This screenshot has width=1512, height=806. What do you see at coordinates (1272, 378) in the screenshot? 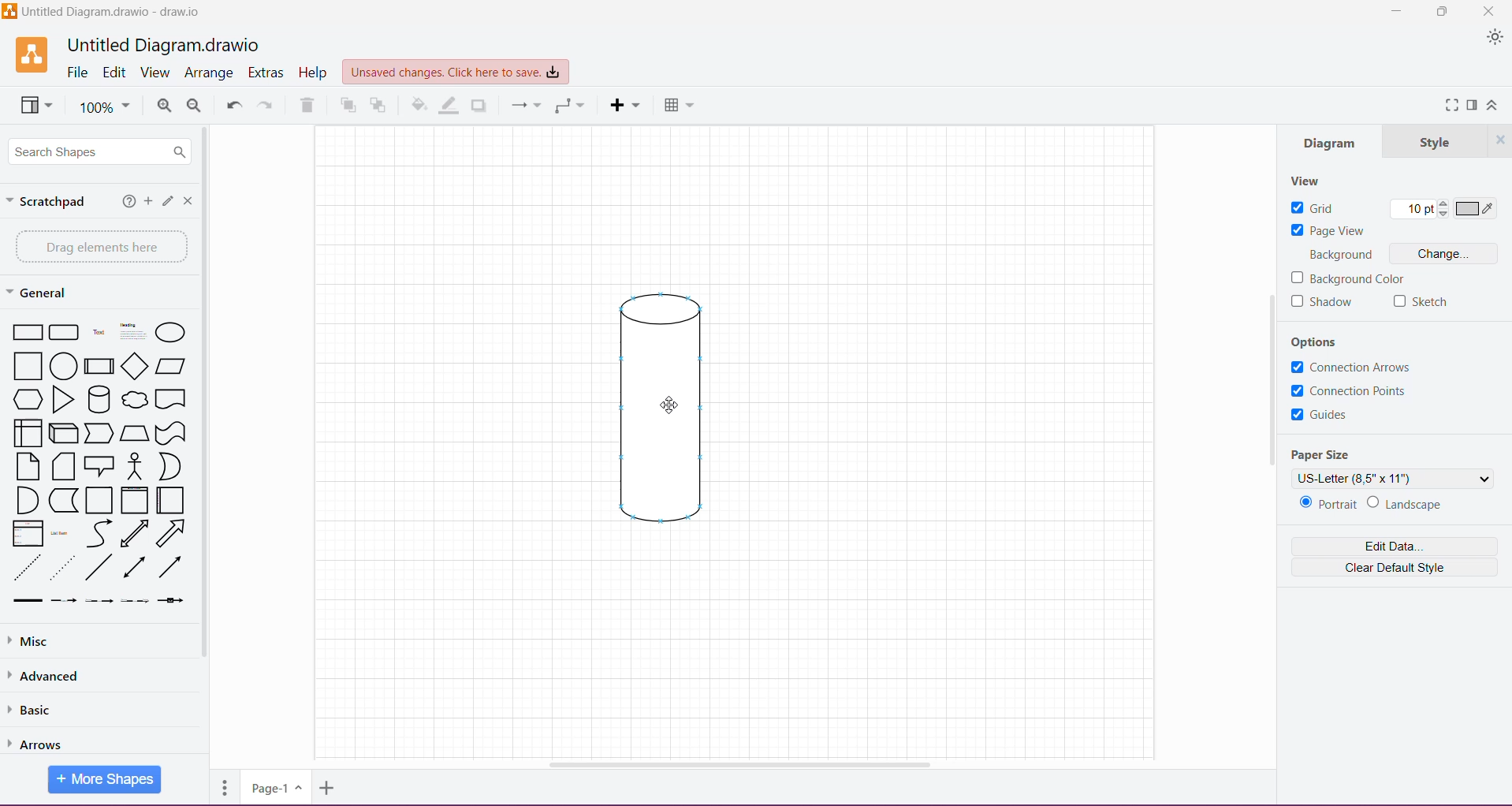
I see `Vertical Scroll Bar` at bounding box center [1272, 378].